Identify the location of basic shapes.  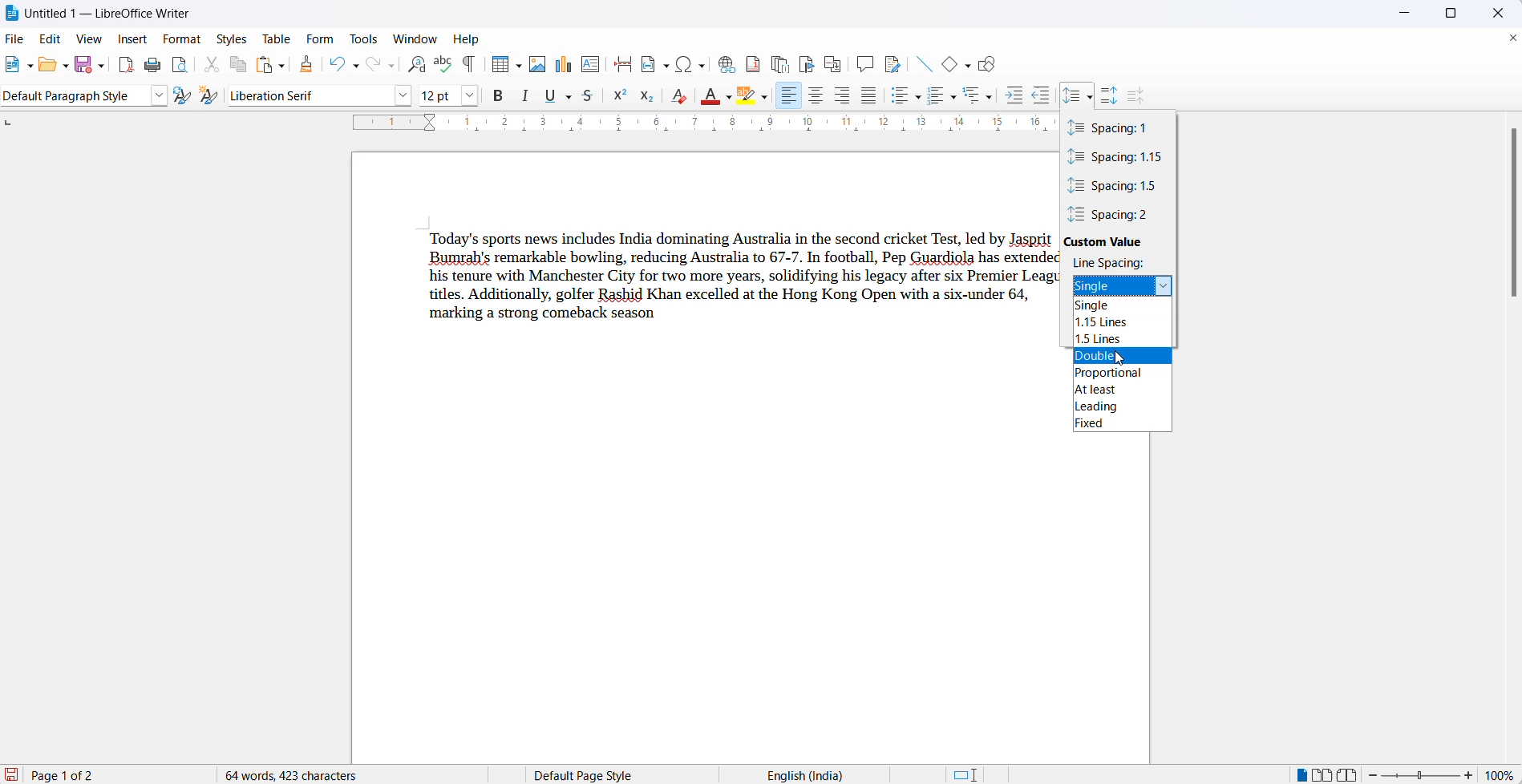
(945, 66).